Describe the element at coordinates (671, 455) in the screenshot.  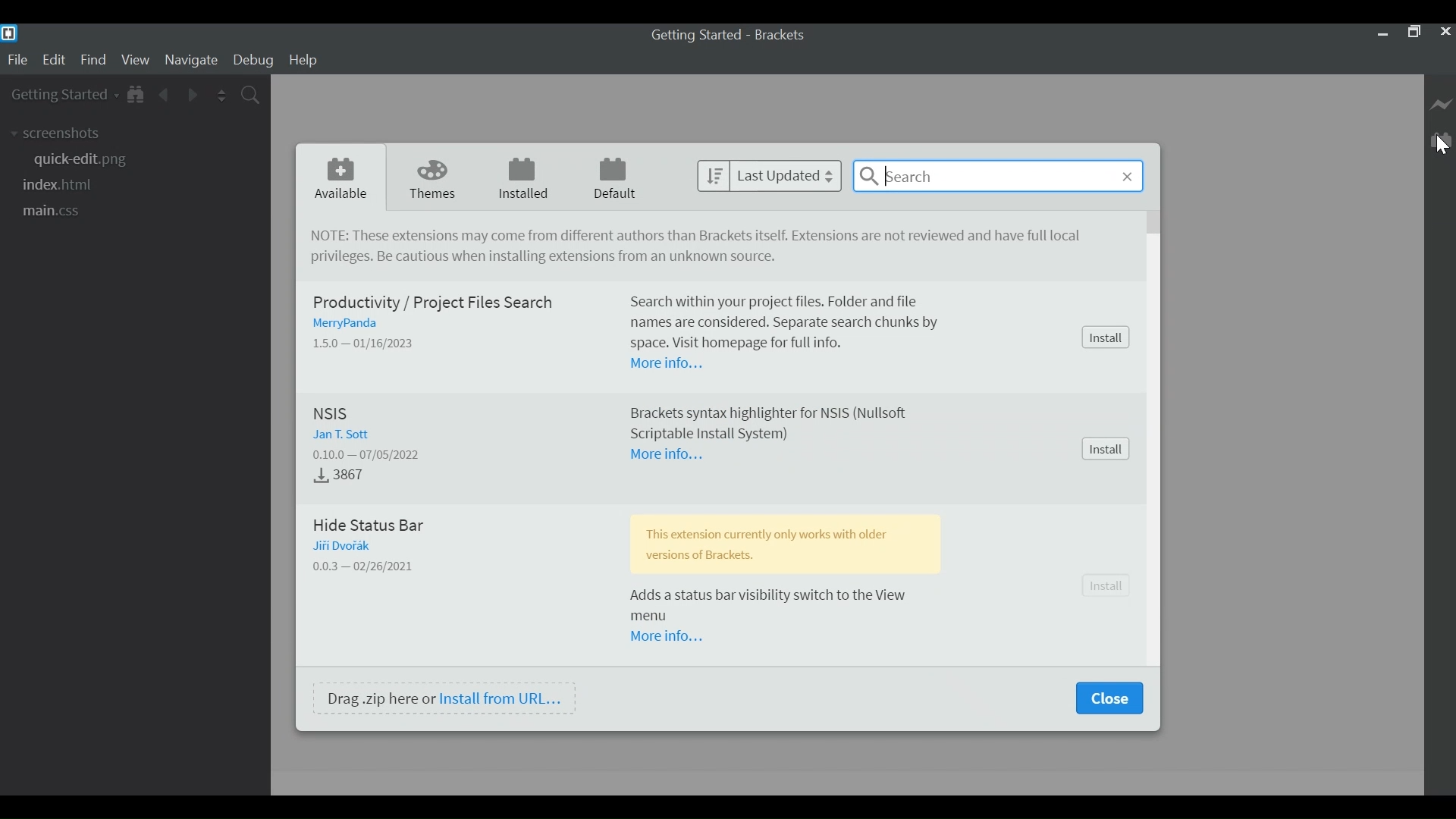
I see `More Information` at that location.